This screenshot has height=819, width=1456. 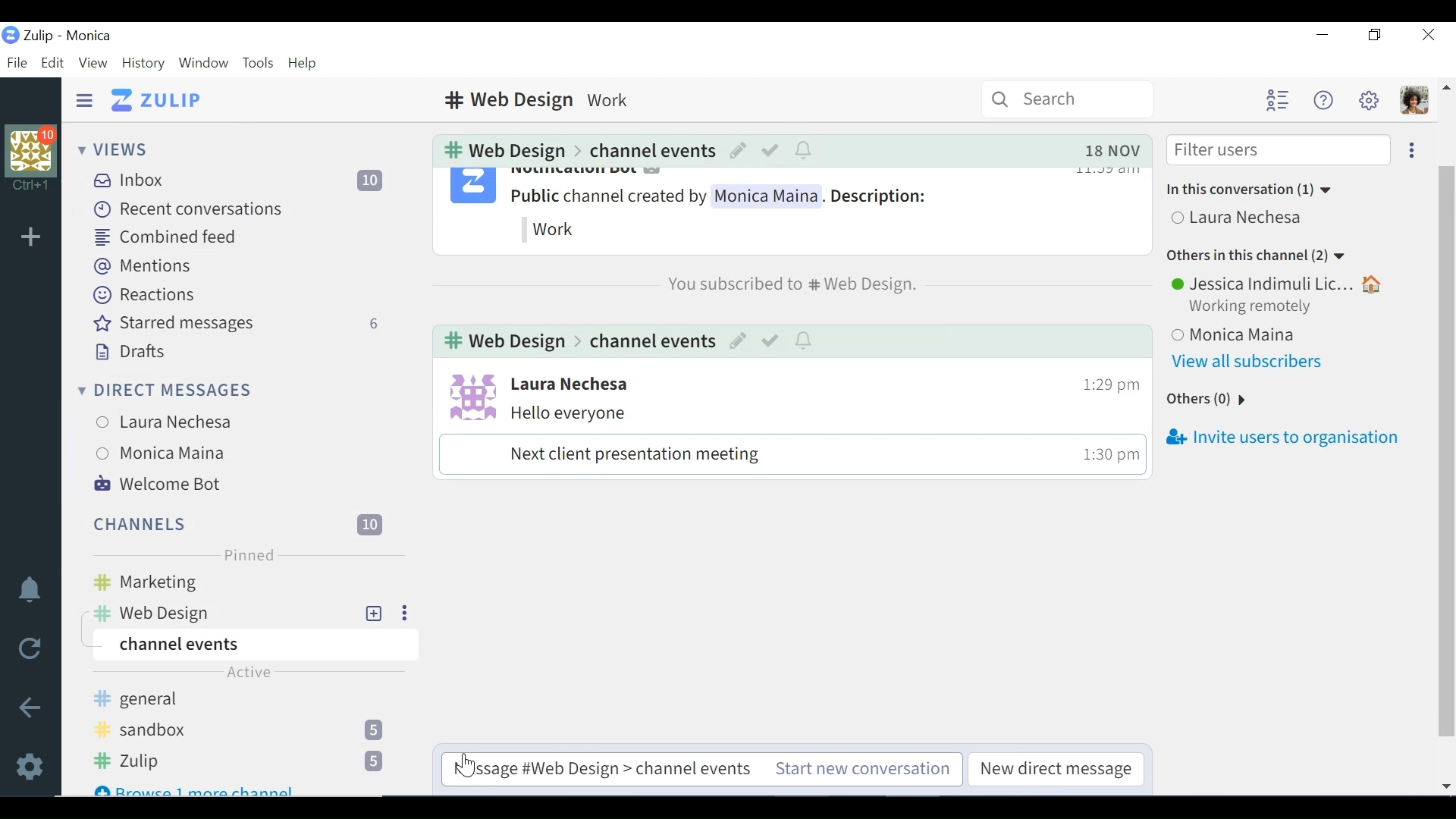 What do you see at coordinates (1413, 101) in the screenshot?
I see `Personal menu` at bounding box center [1413, 101].